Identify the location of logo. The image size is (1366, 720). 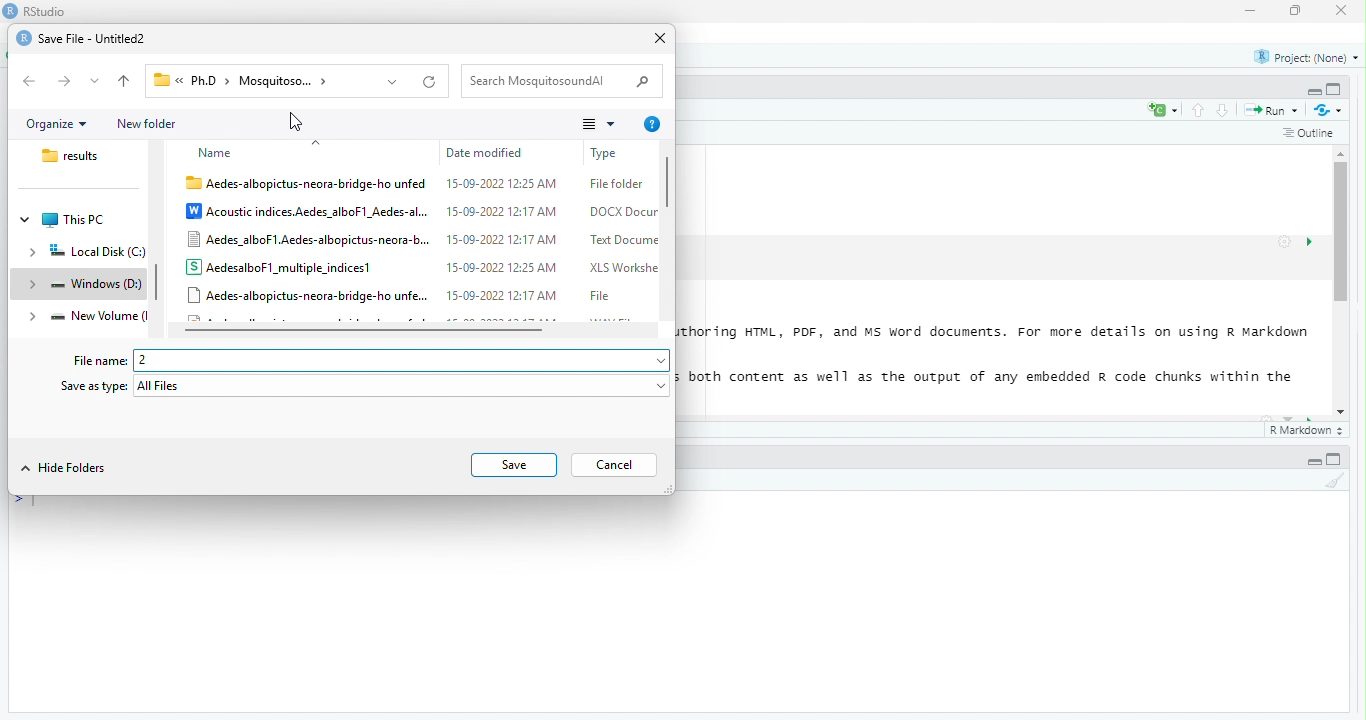
(11, 10).